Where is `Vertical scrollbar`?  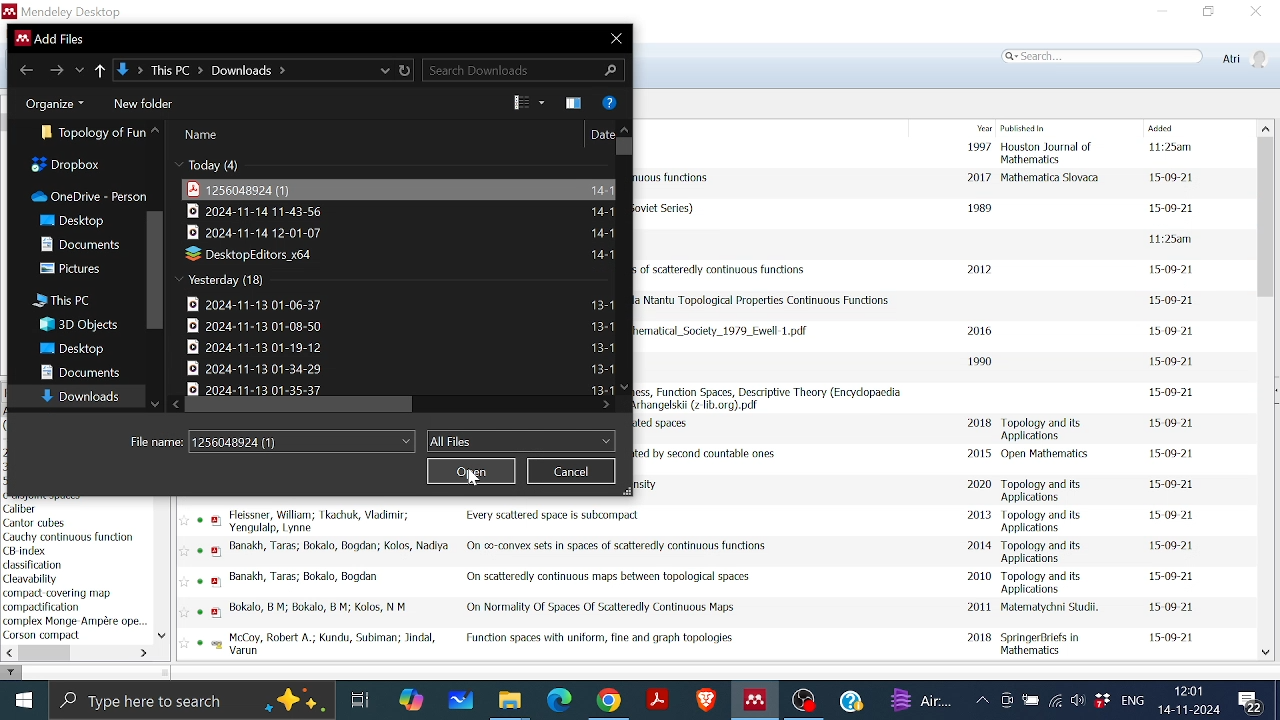 Vertical scrollbar is located at coordinates (1266, 218).